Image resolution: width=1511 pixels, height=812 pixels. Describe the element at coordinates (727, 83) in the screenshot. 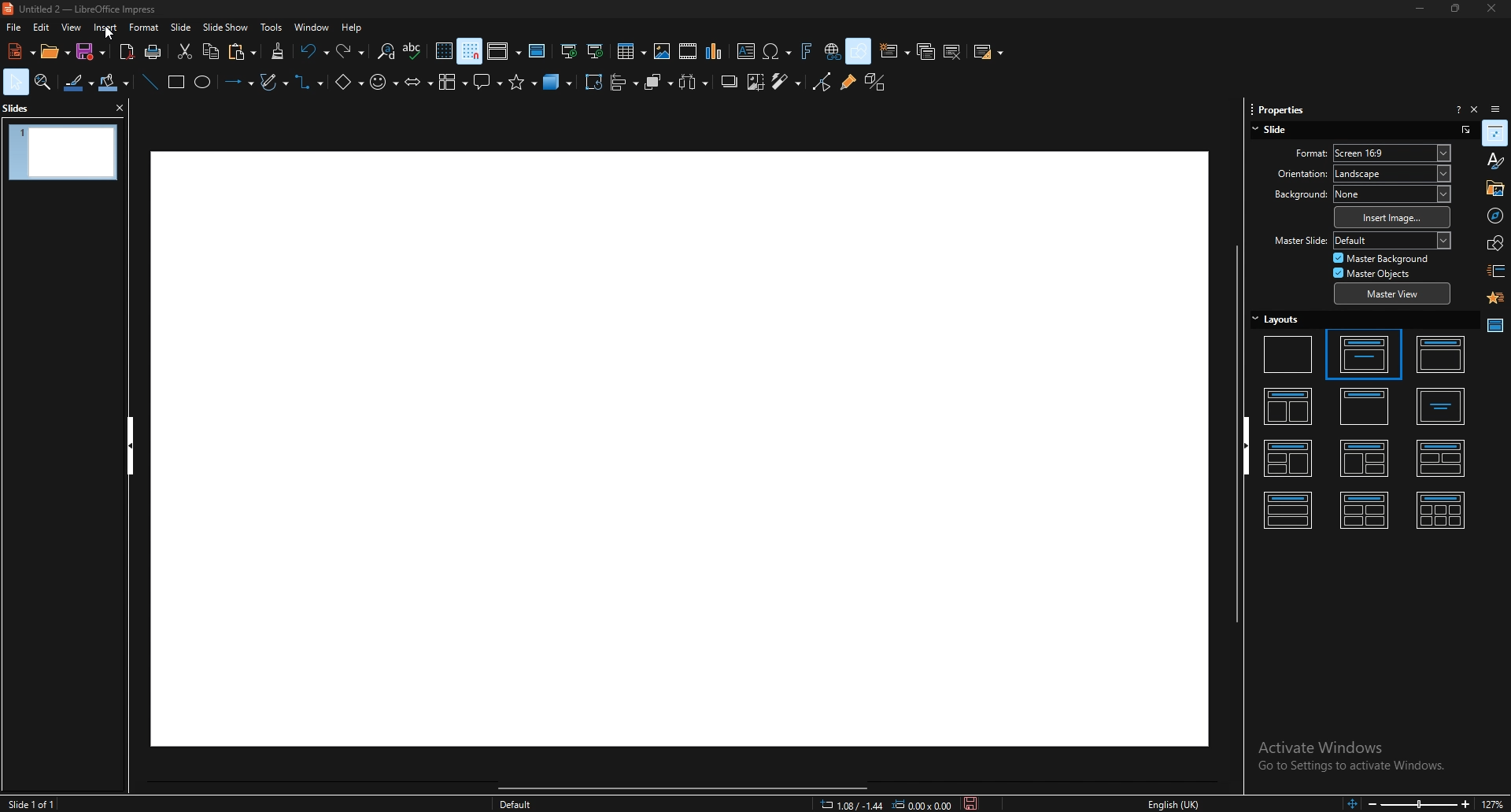

I see `shadow` at that location.